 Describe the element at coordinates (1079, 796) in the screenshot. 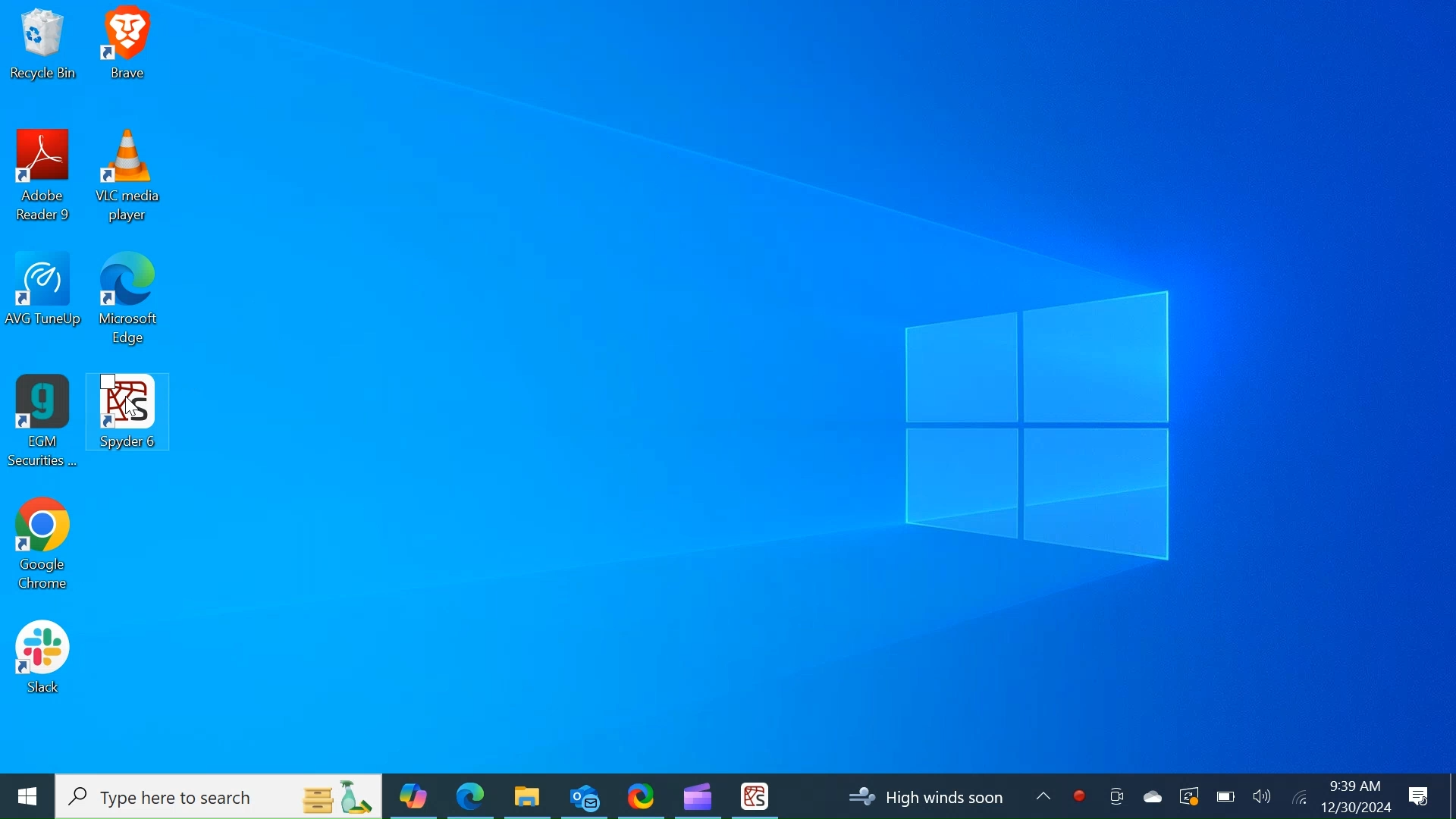

I see `Record` at that location.